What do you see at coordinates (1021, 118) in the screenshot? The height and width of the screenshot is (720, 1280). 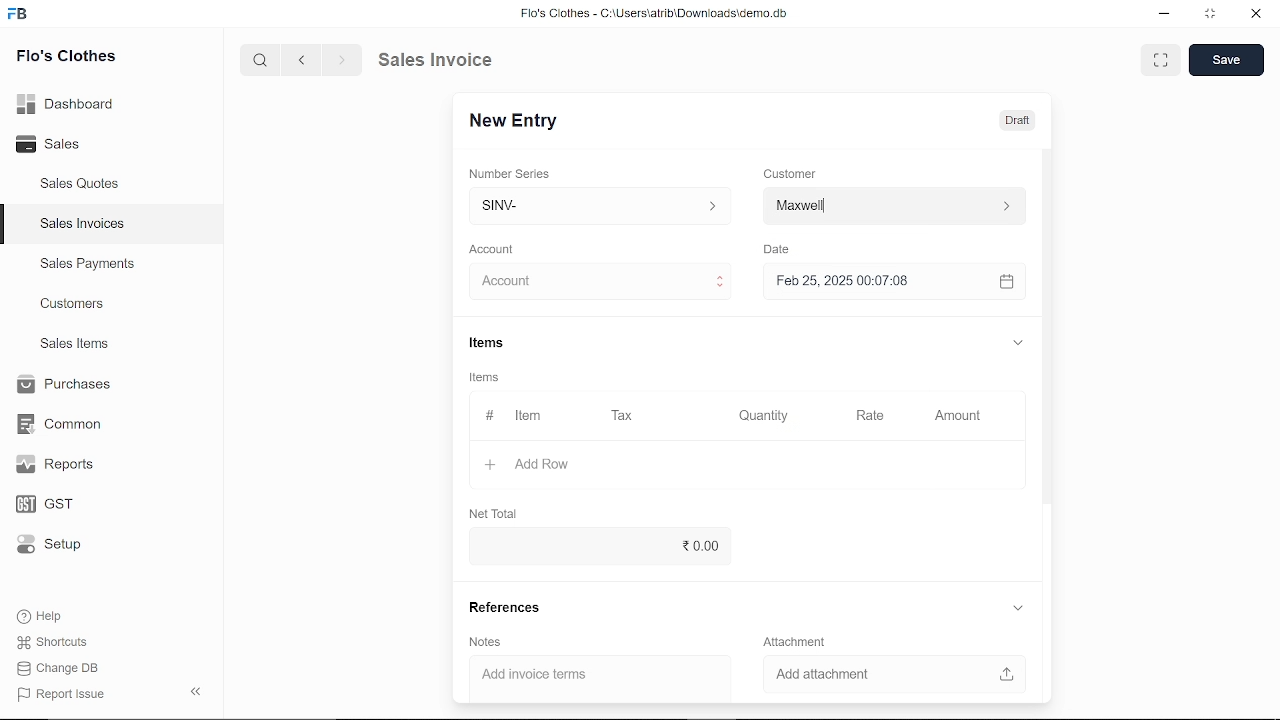 I see `Draft` at bounding box center [1021, 118].